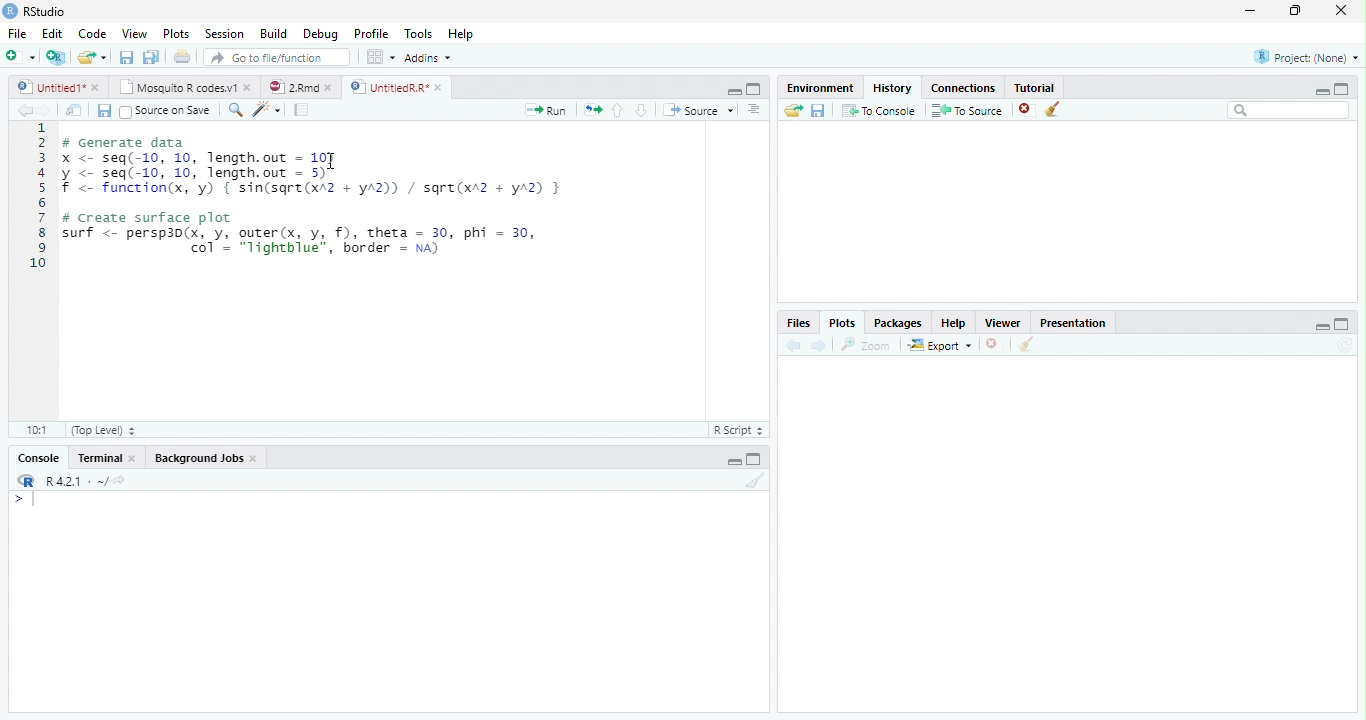  What do you see at coordinates (134, 33) in the screenshot?
I see `View` at bounding box center [134, 33].